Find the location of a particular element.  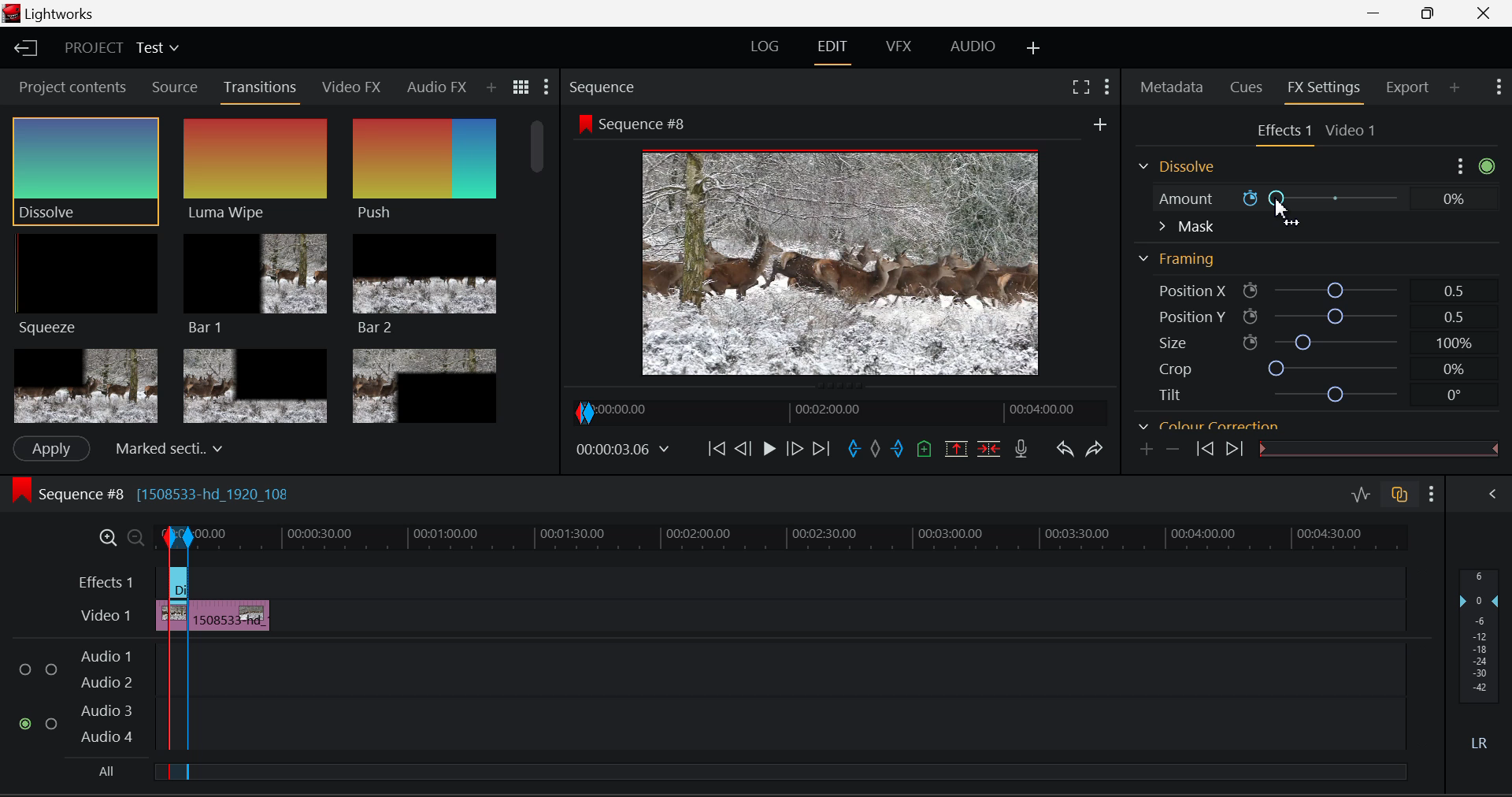

Clip Inserted in Timeline is located at coordinates (231, 613).